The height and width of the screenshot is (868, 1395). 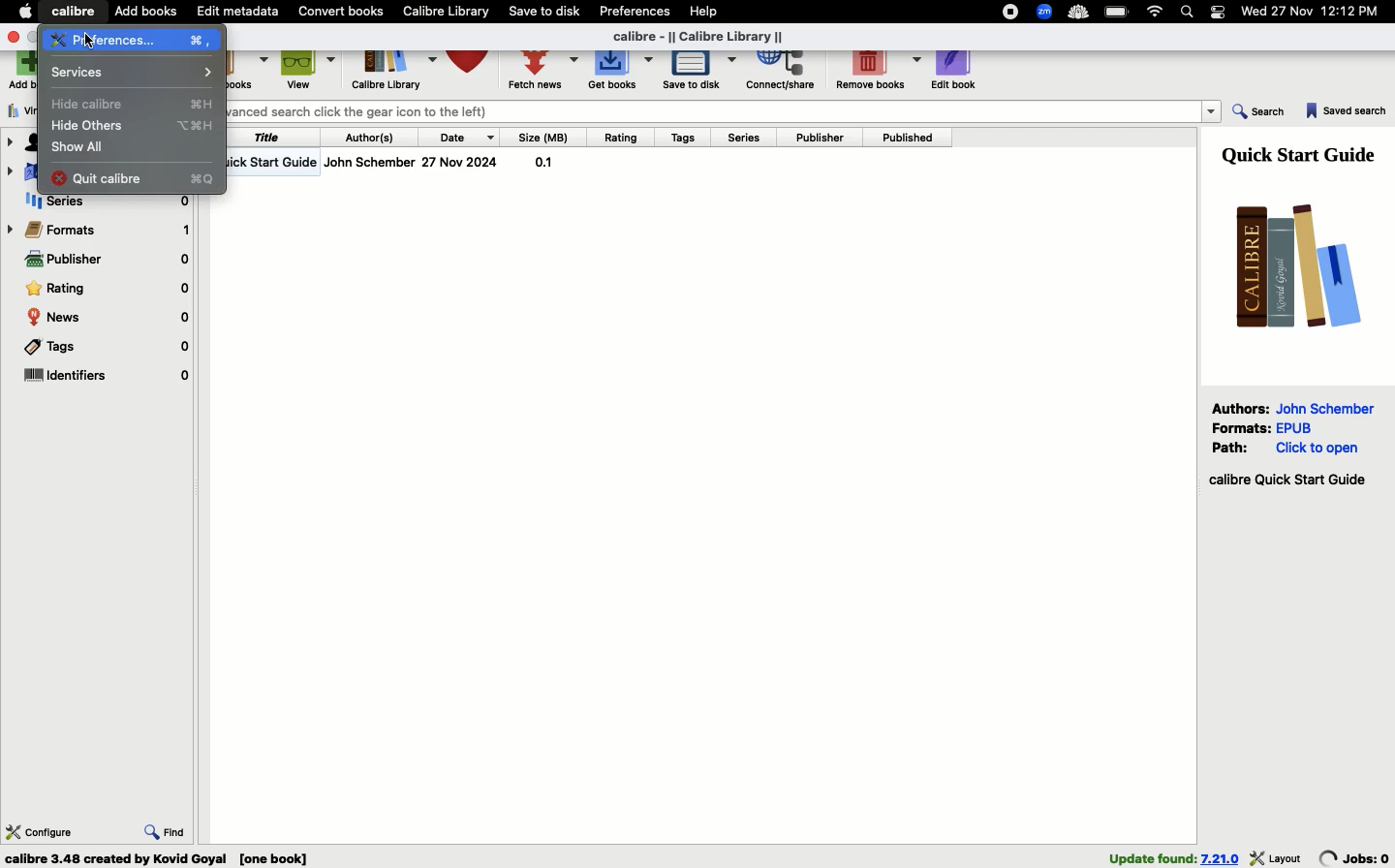 What do you see at coordinates (1303, 153) in the screenshot?
I see `Guide` at bounding box center [1303, 153].